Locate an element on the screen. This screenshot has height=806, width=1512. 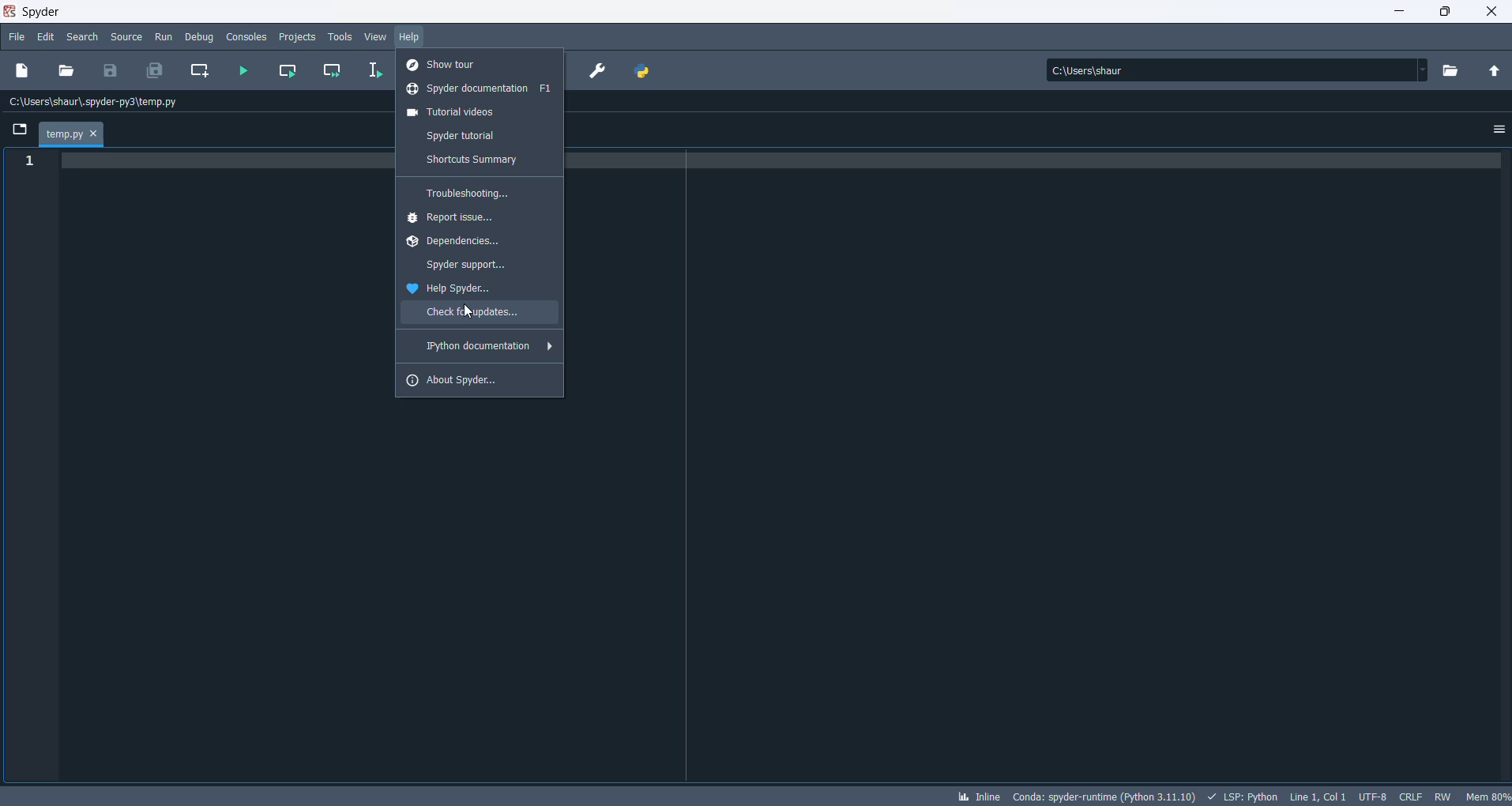
run selection  is located at coordinates (377, 71).